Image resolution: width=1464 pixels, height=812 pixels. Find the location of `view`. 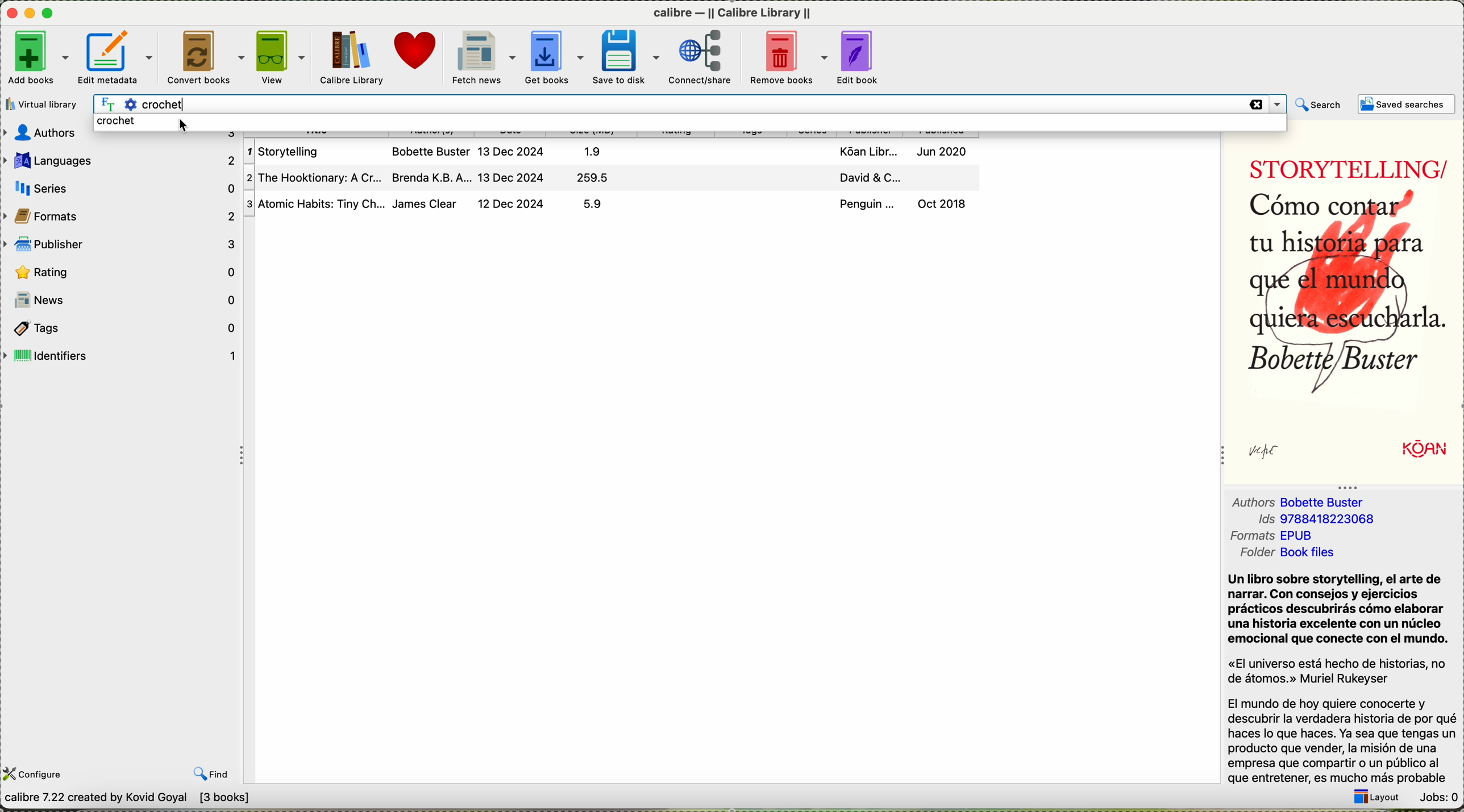

view is located at coordinates (282, 55).